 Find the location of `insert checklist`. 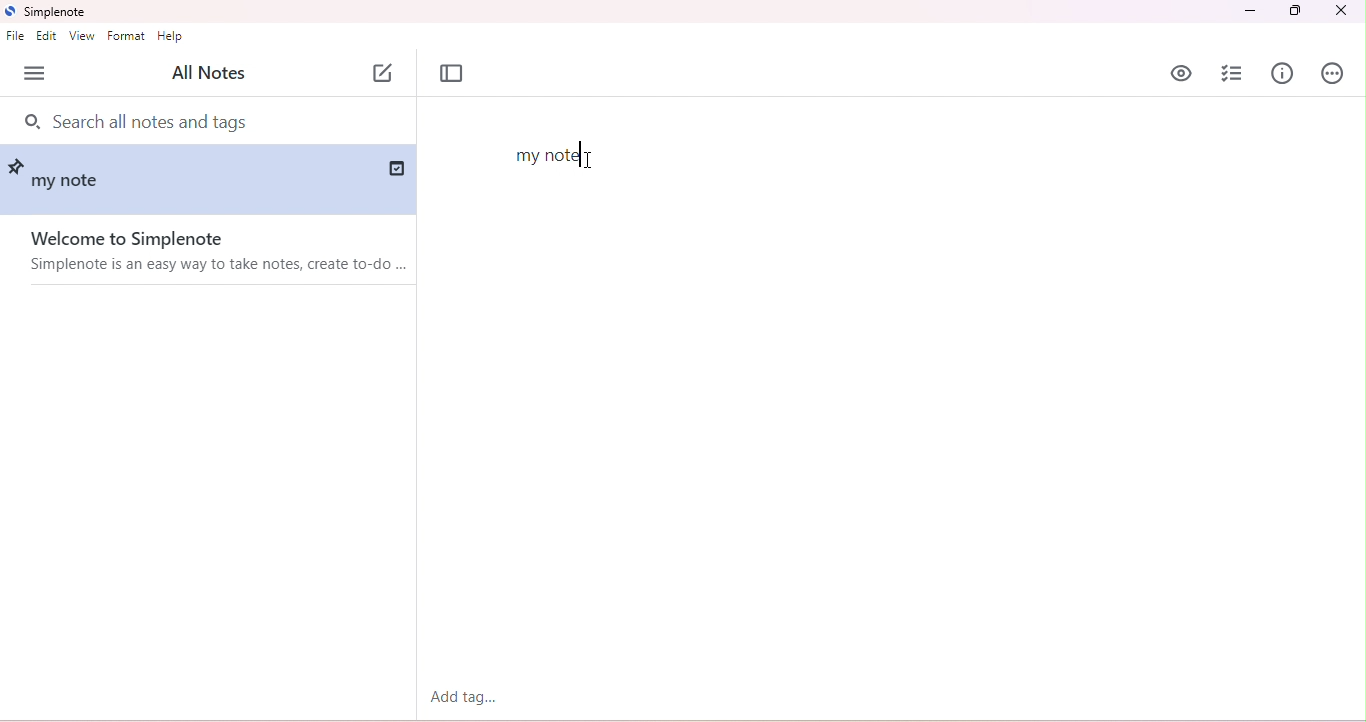

insert checklist is located at coordinates (1231, 75).